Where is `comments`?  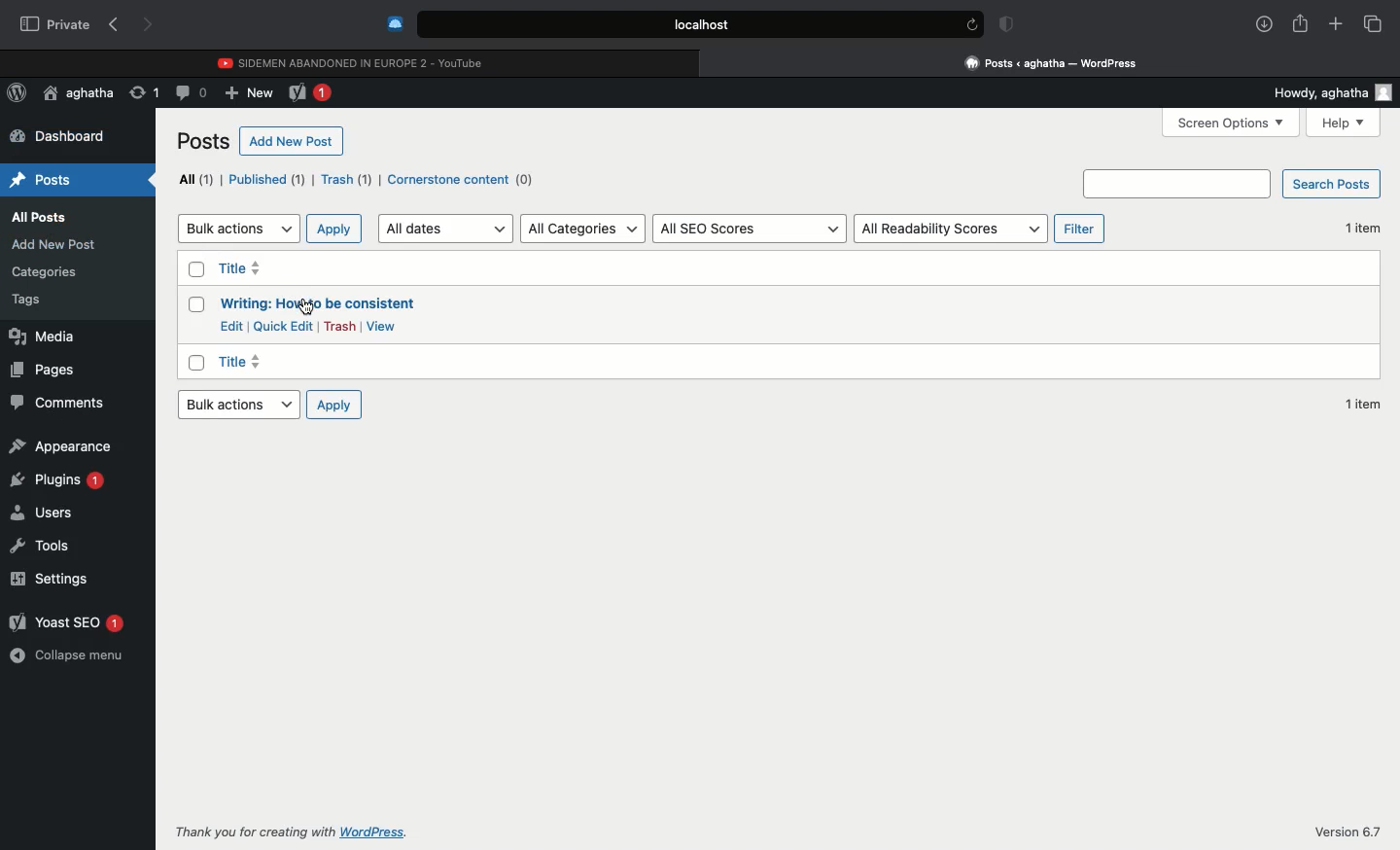
comments is located at coordinates (54, 405).